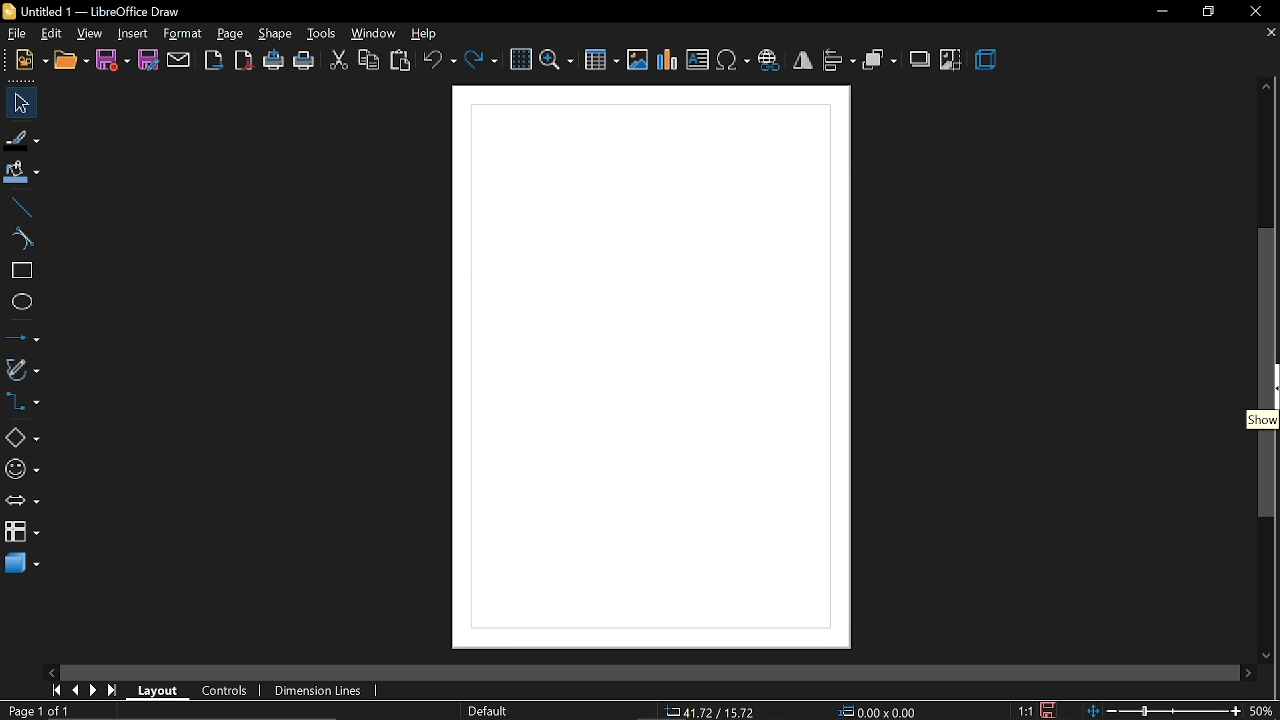 This screenshot has height=720, width=1280. I want to click on close tab, so click(1269, 33).